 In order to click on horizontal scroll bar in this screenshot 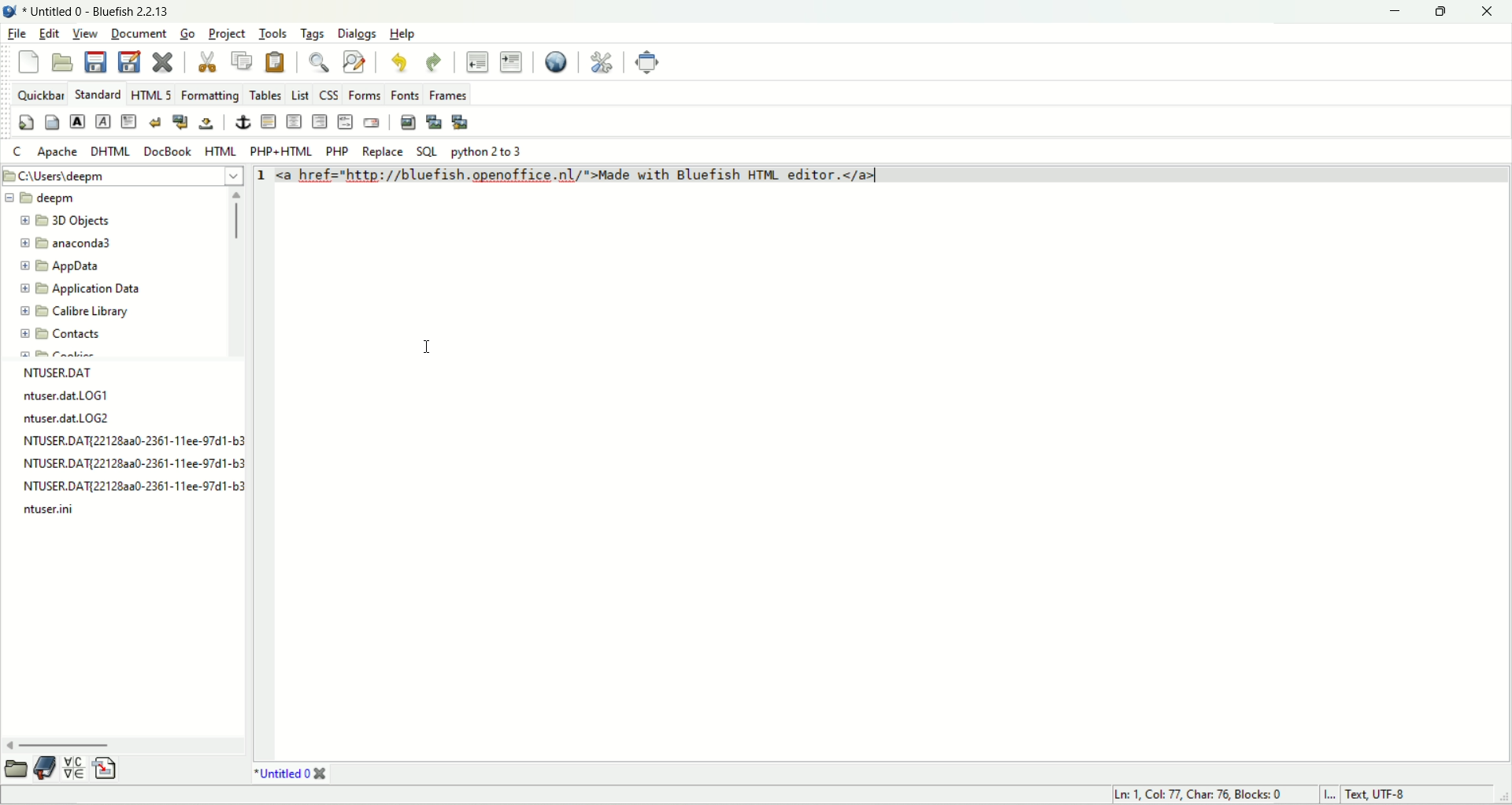, I will do `click(125, 741)`.